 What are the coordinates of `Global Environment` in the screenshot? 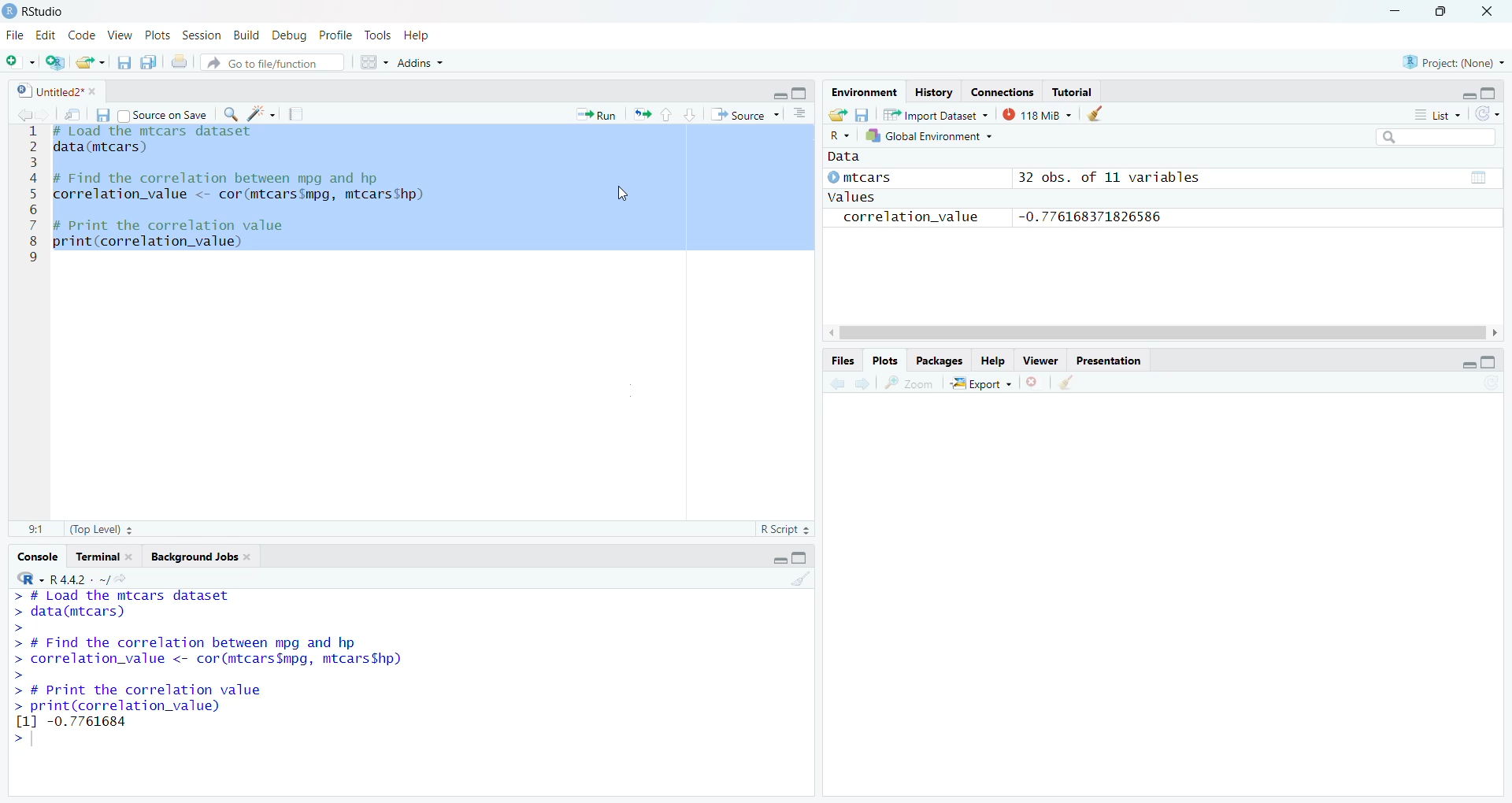 It's located at (928, 137).